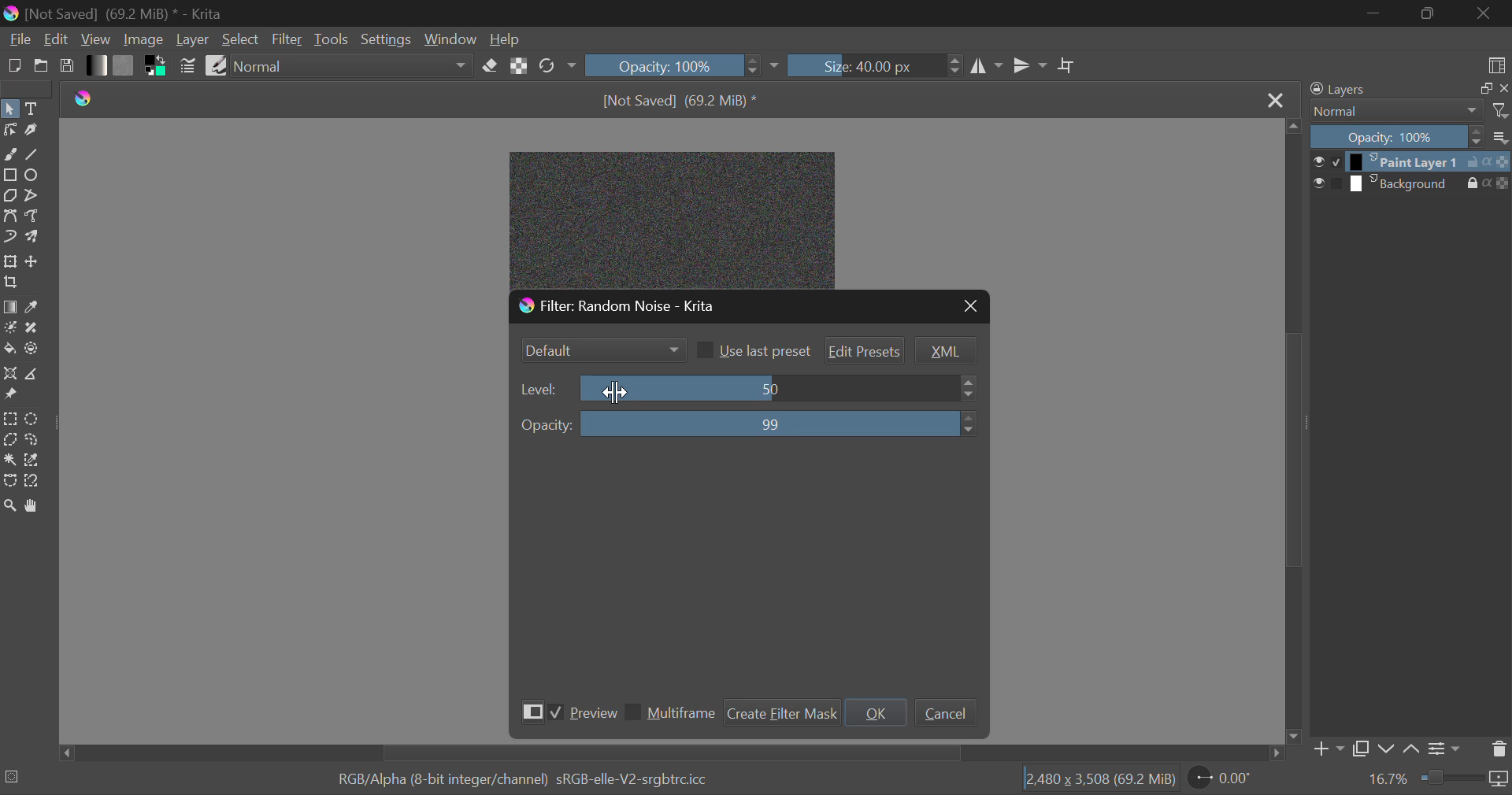  Describe the element at coordinates (332, 38) in the screenshot. I see `Tools` at that location.